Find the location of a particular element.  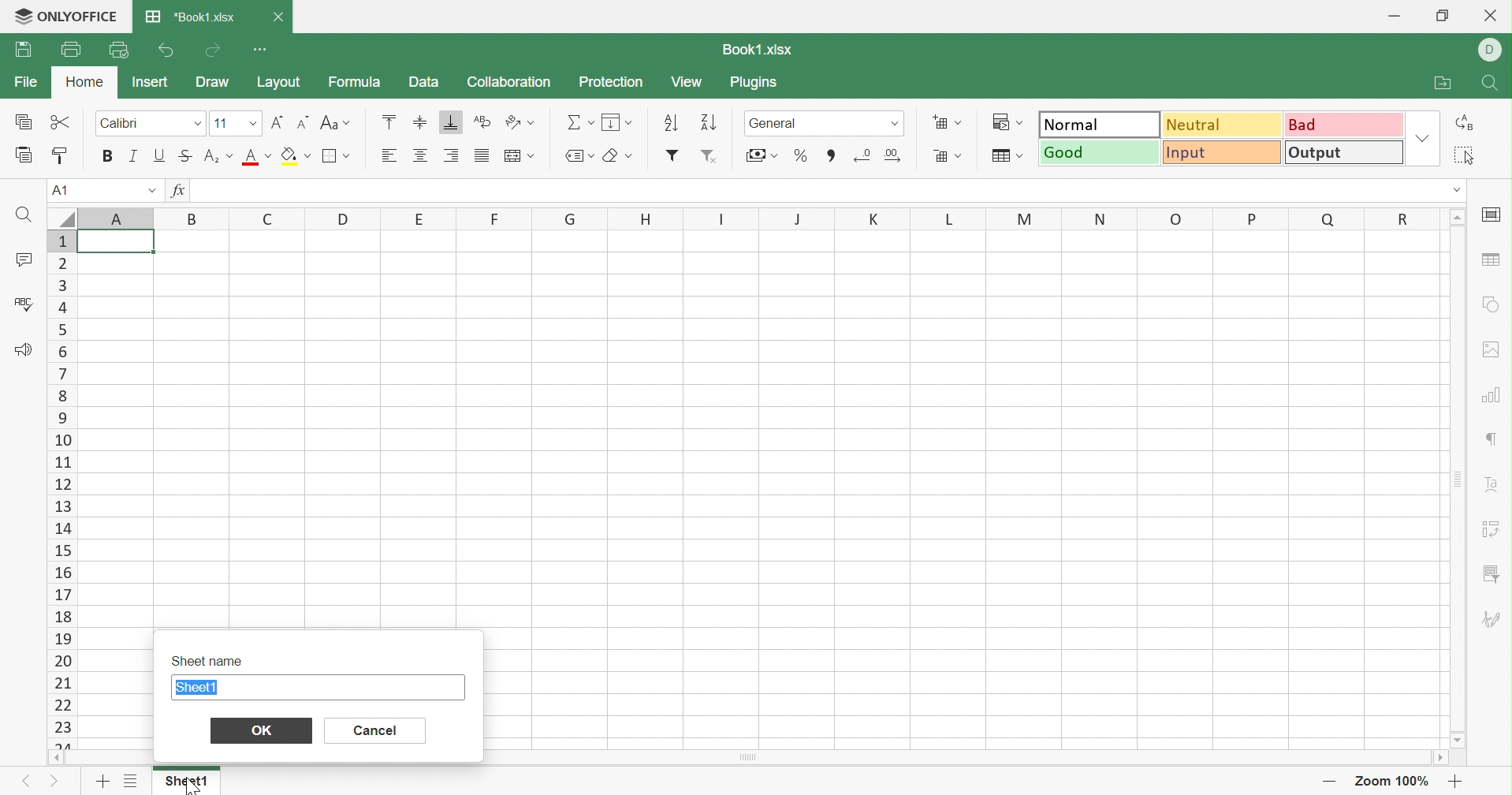

Signature settings is located at coordinates (1492, 624).